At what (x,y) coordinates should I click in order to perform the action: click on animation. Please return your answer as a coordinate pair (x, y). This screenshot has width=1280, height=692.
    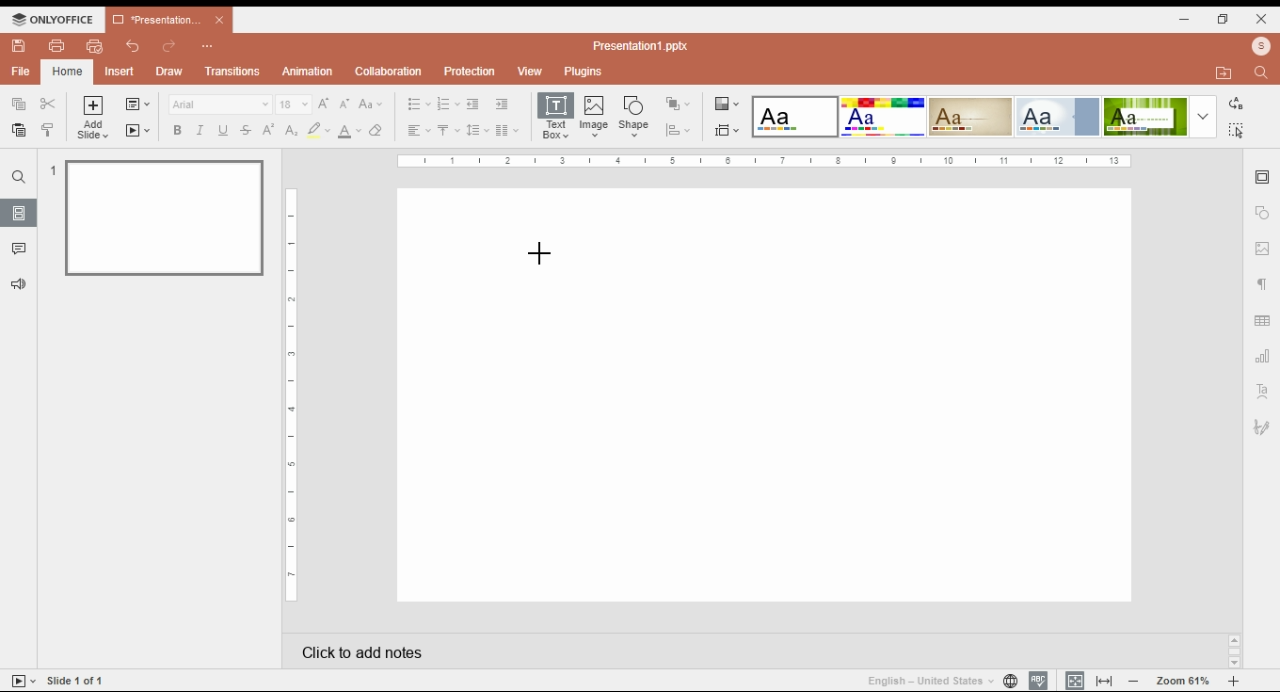
    Looking at the image, I should click on (306, 71).